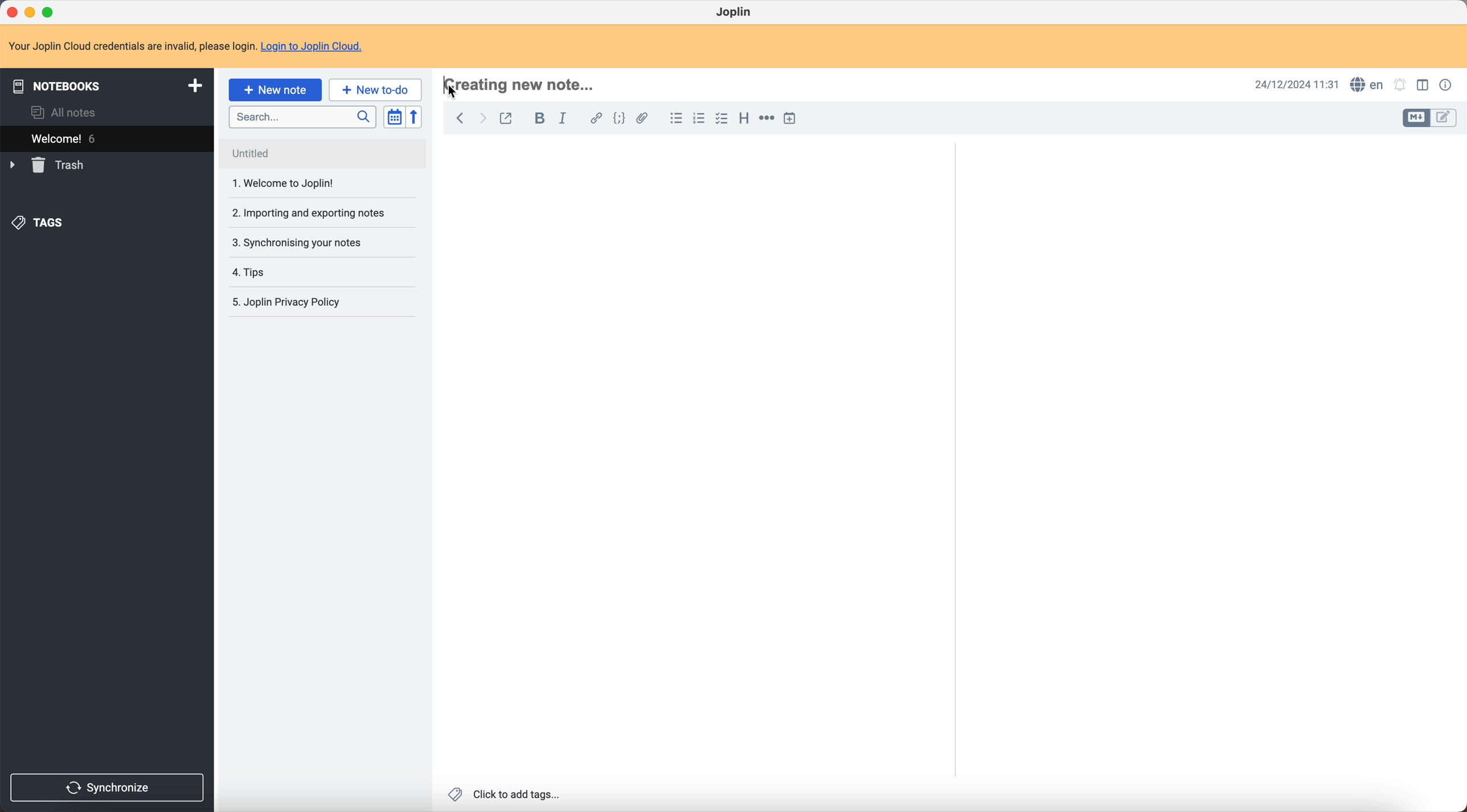 The image size is (1467, 812). Describe the element at coordinates (40, 223) in the screenshot. I see `tags` at that location.